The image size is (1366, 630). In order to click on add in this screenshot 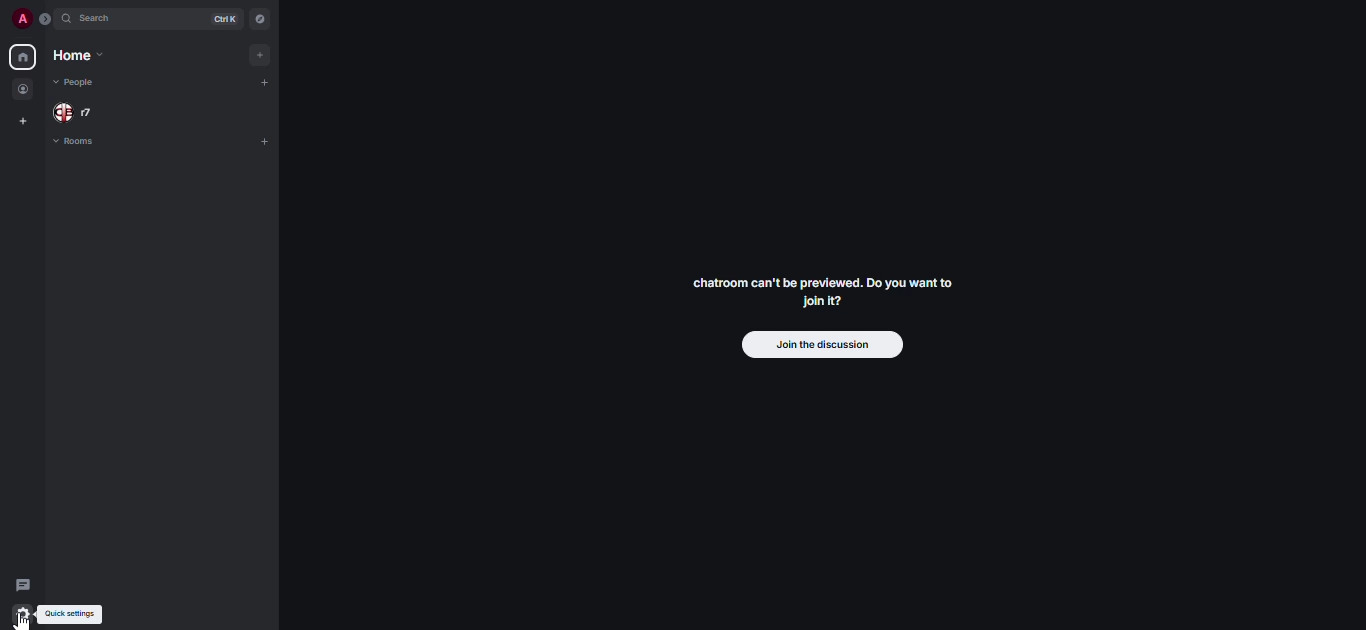, I will do `click(271, 84)`.